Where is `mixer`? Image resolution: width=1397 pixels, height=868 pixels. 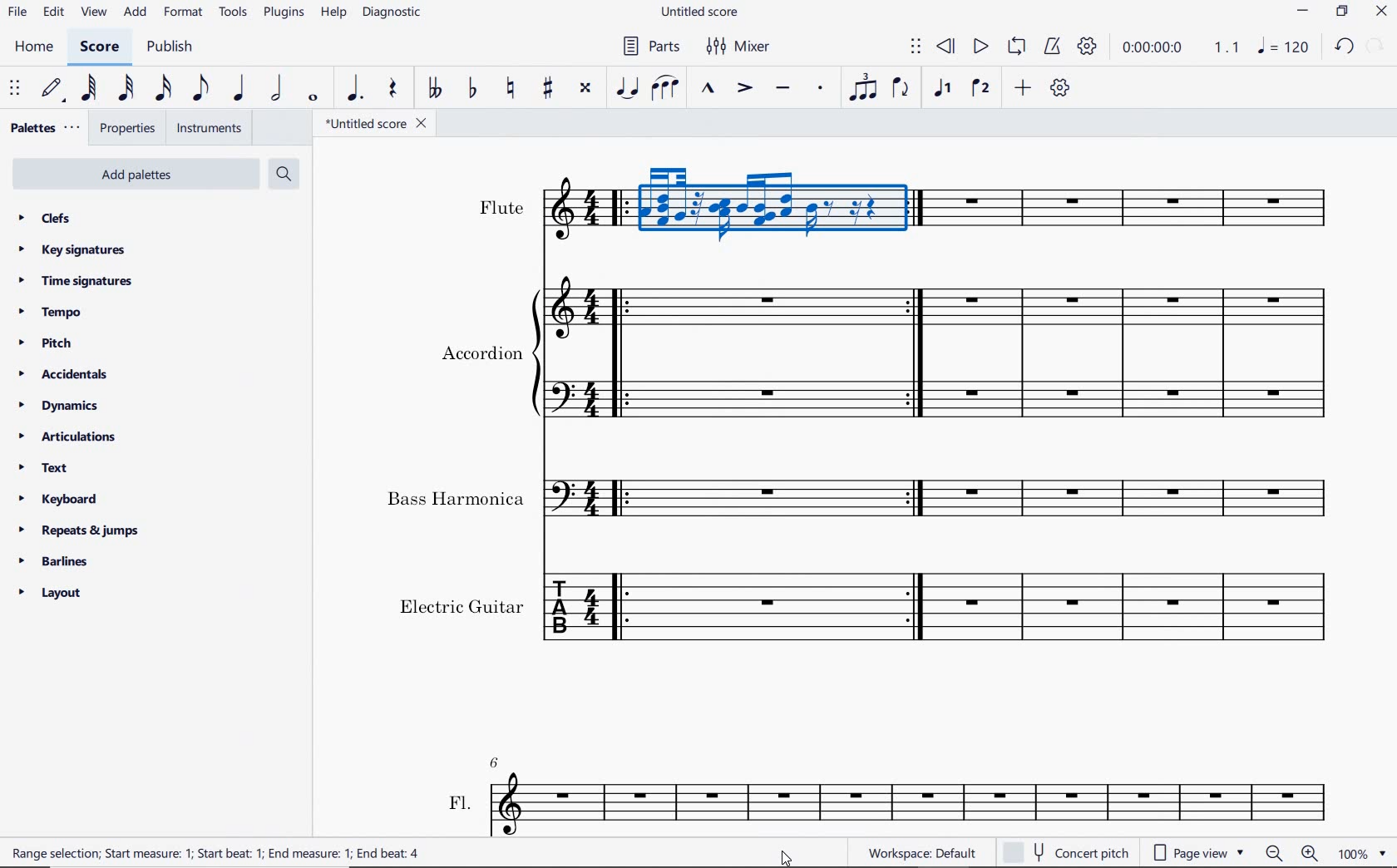 mixer is located at coordinates (747, 47).